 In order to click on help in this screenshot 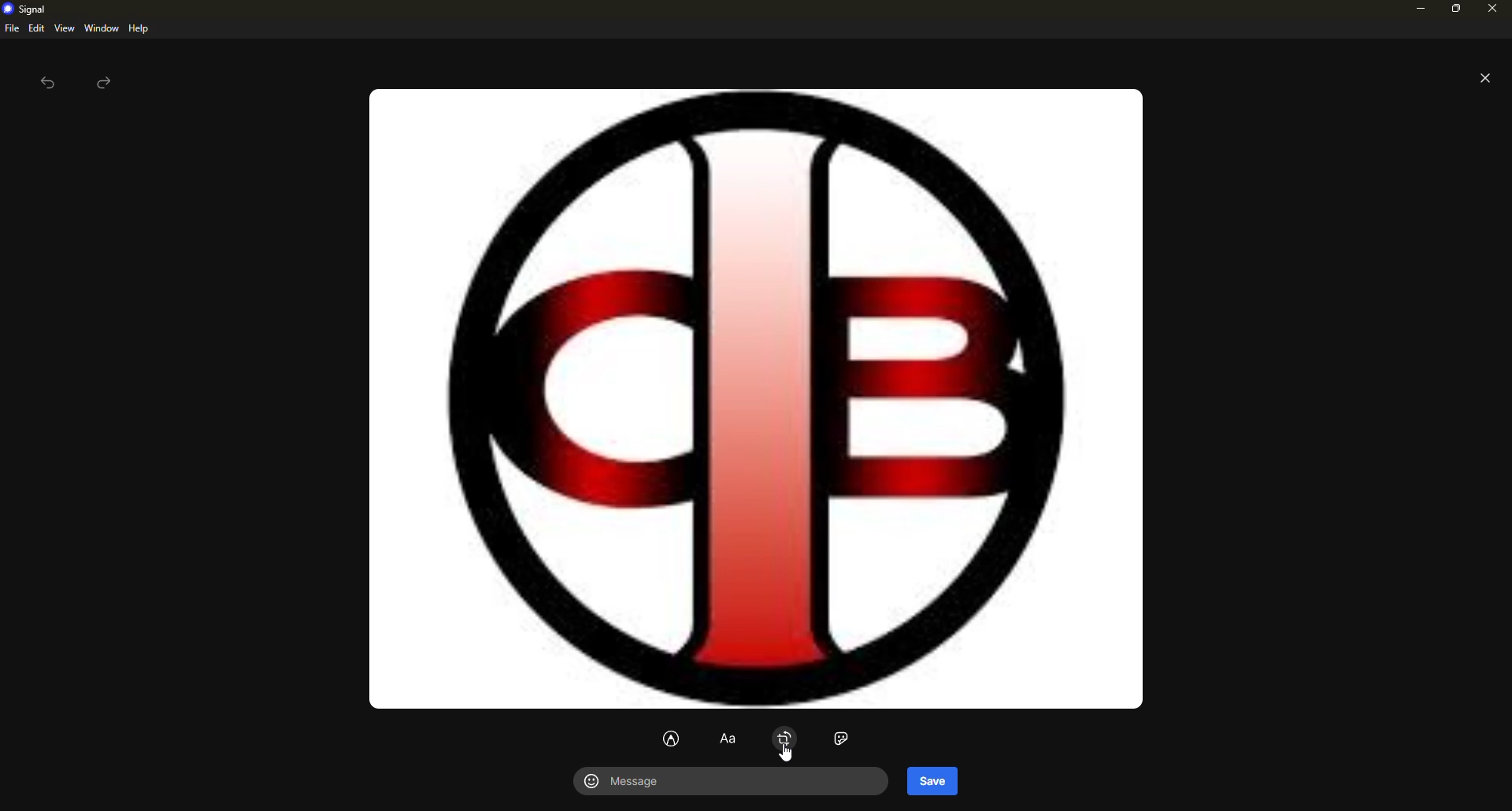, I will do `click(139, 28)`.